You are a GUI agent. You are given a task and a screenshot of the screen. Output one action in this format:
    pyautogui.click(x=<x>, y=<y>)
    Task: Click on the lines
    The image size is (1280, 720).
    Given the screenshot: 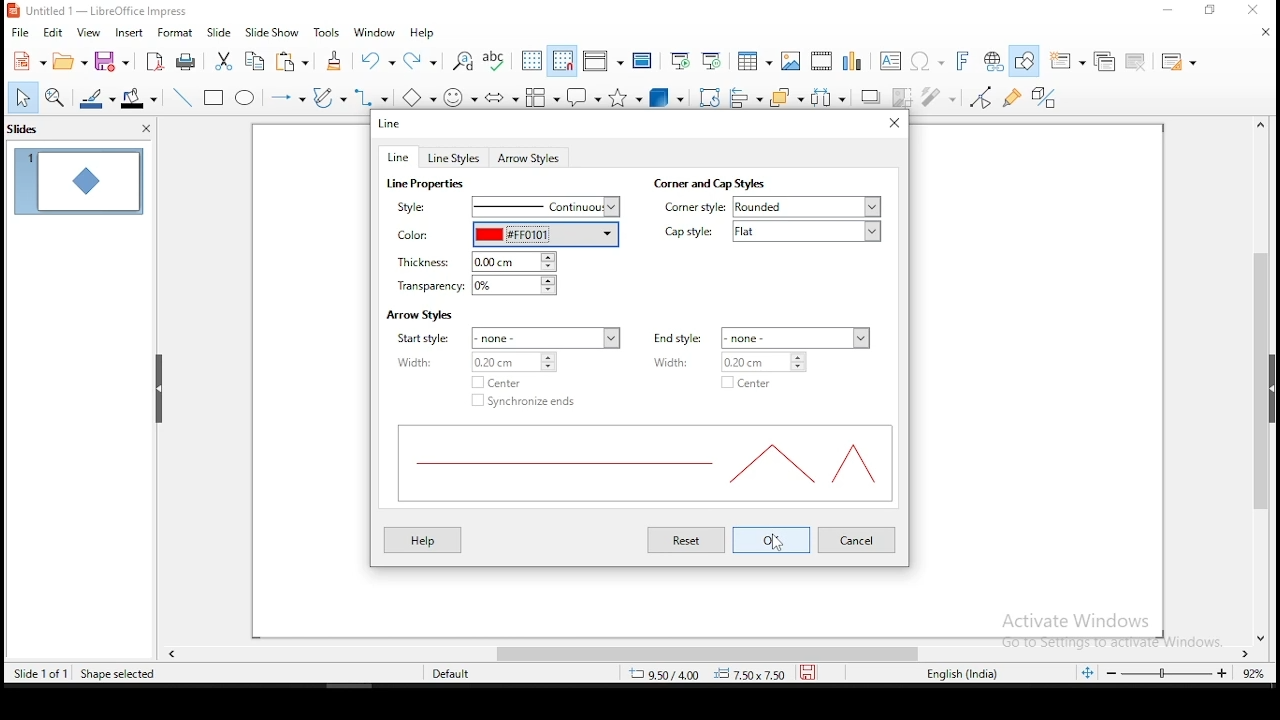 What is the action you would take?
    pyautogui.click(x=642, y=466)
    